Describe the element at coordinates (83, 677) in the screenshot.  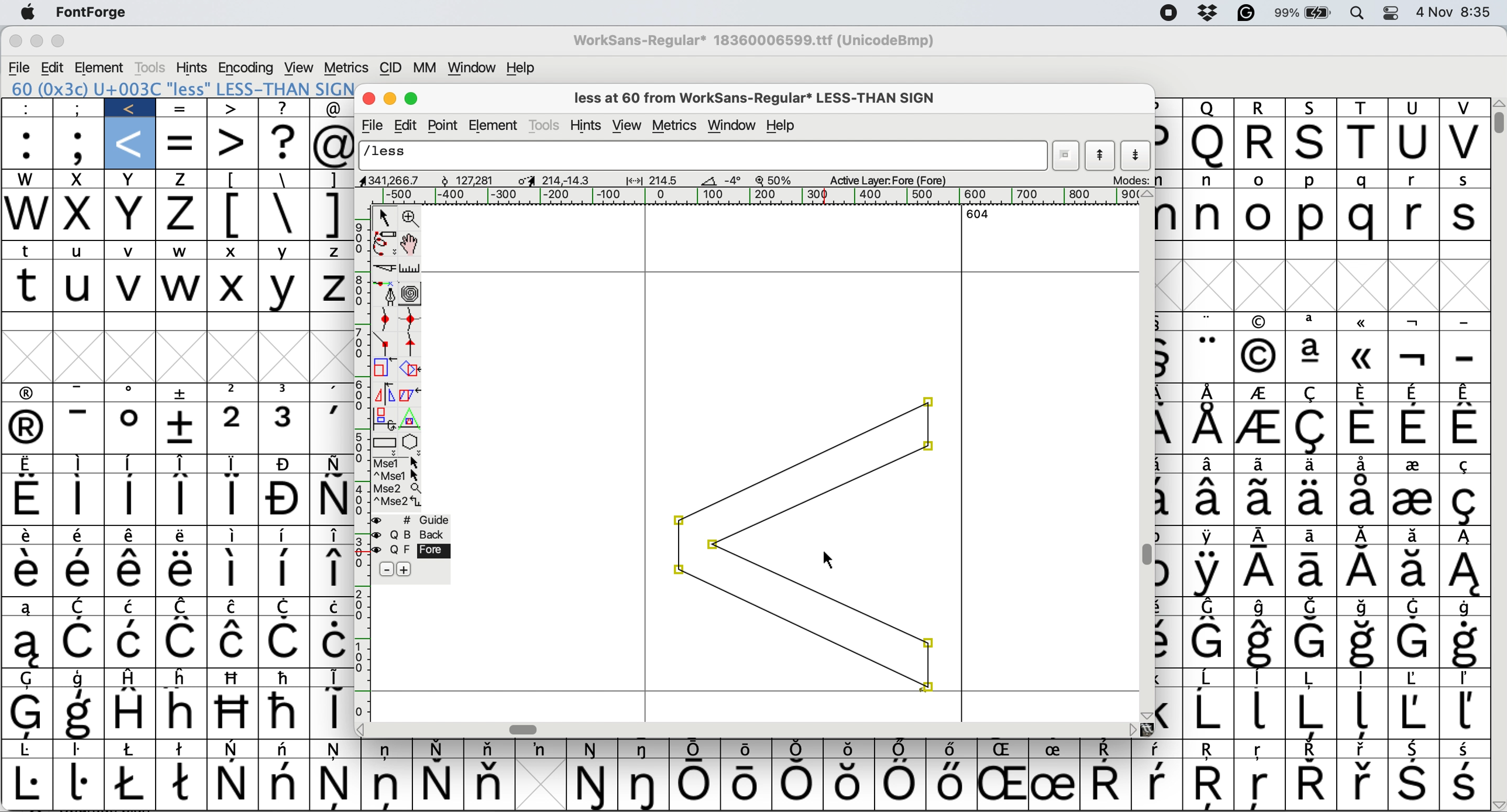
I see `Symbol` at that location.